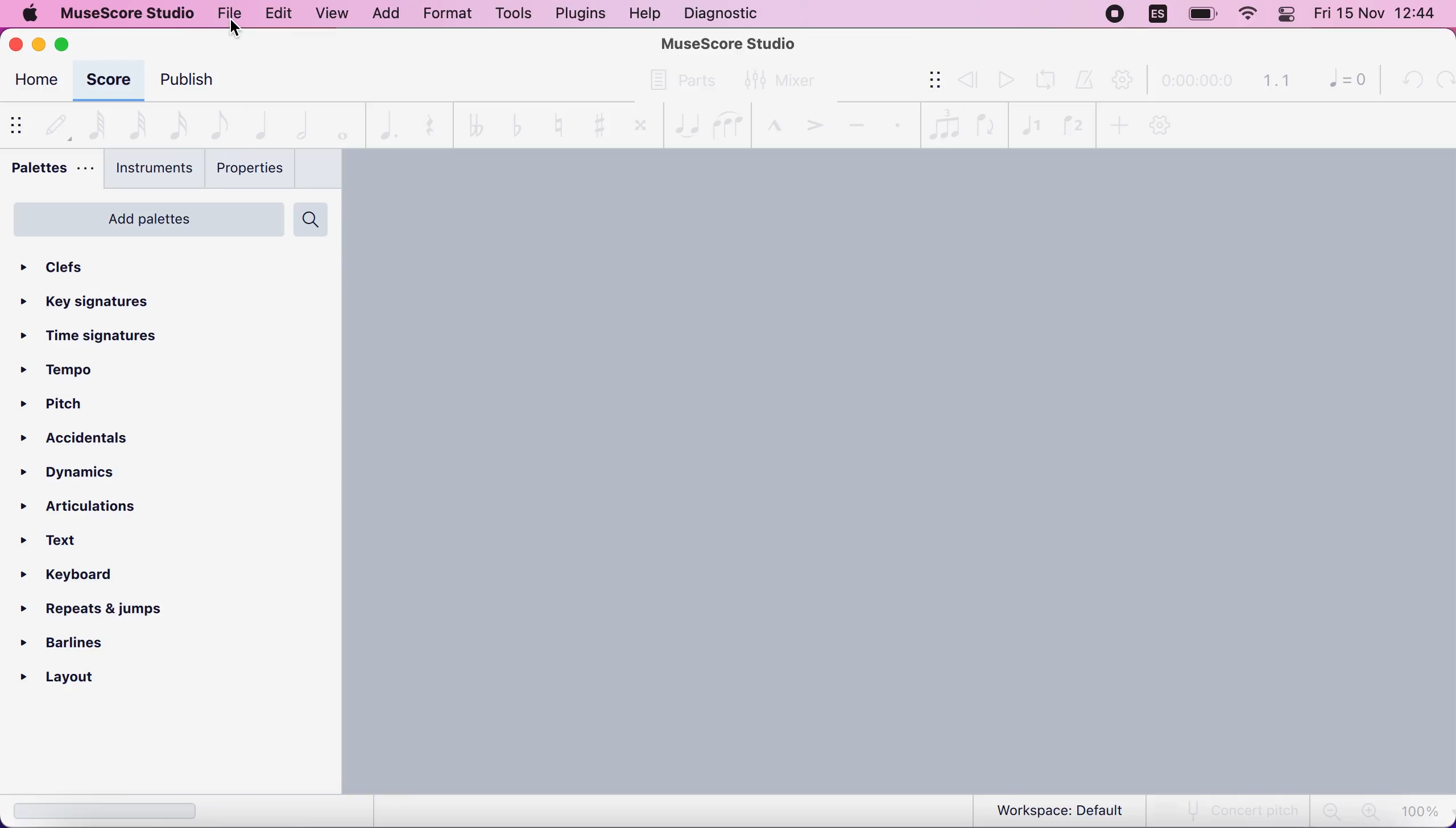  Describe the element at coordinates (899, 124) in the screenshot. I see `staccato` at that location.